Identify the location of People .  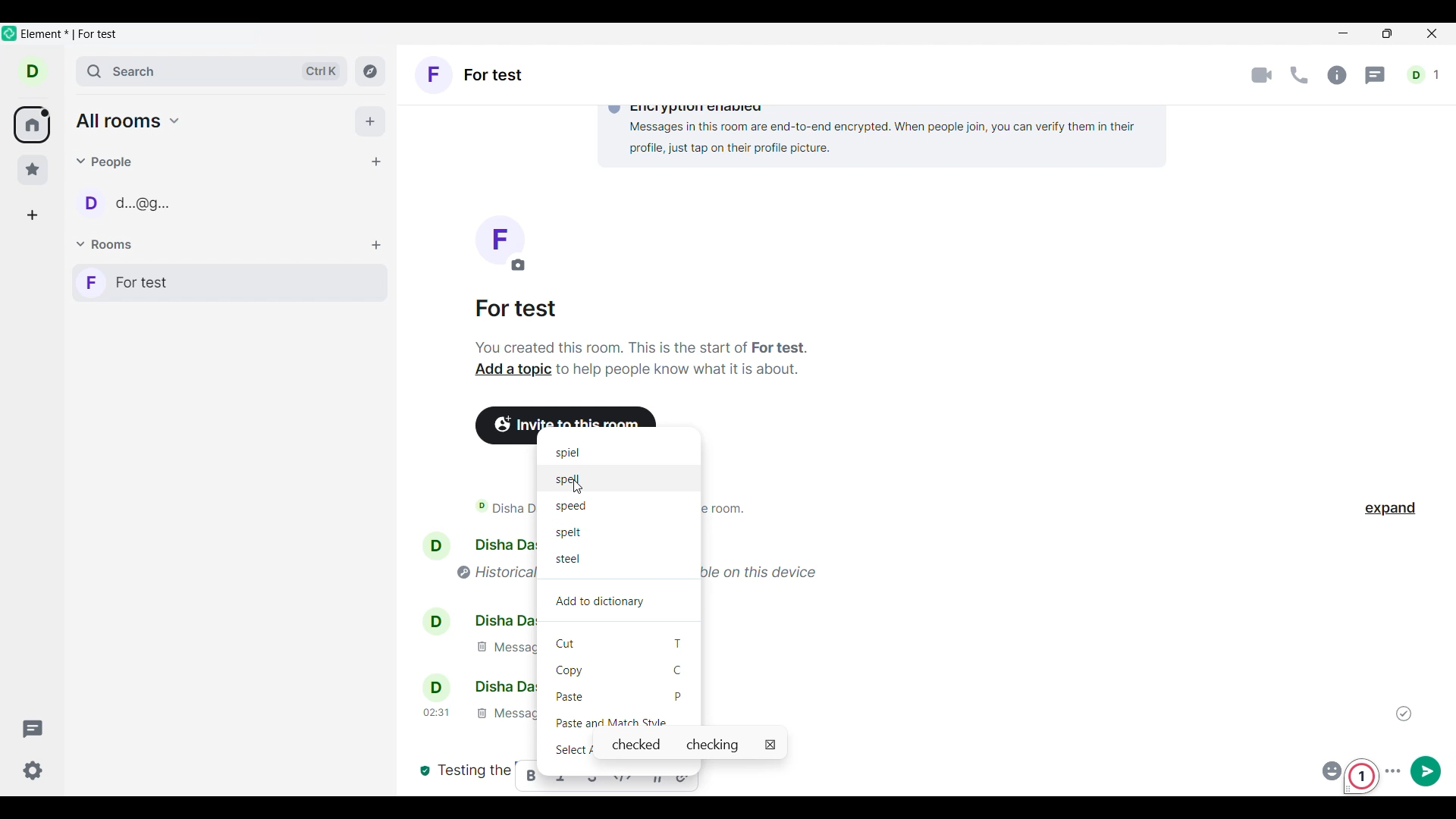
(107, 162).